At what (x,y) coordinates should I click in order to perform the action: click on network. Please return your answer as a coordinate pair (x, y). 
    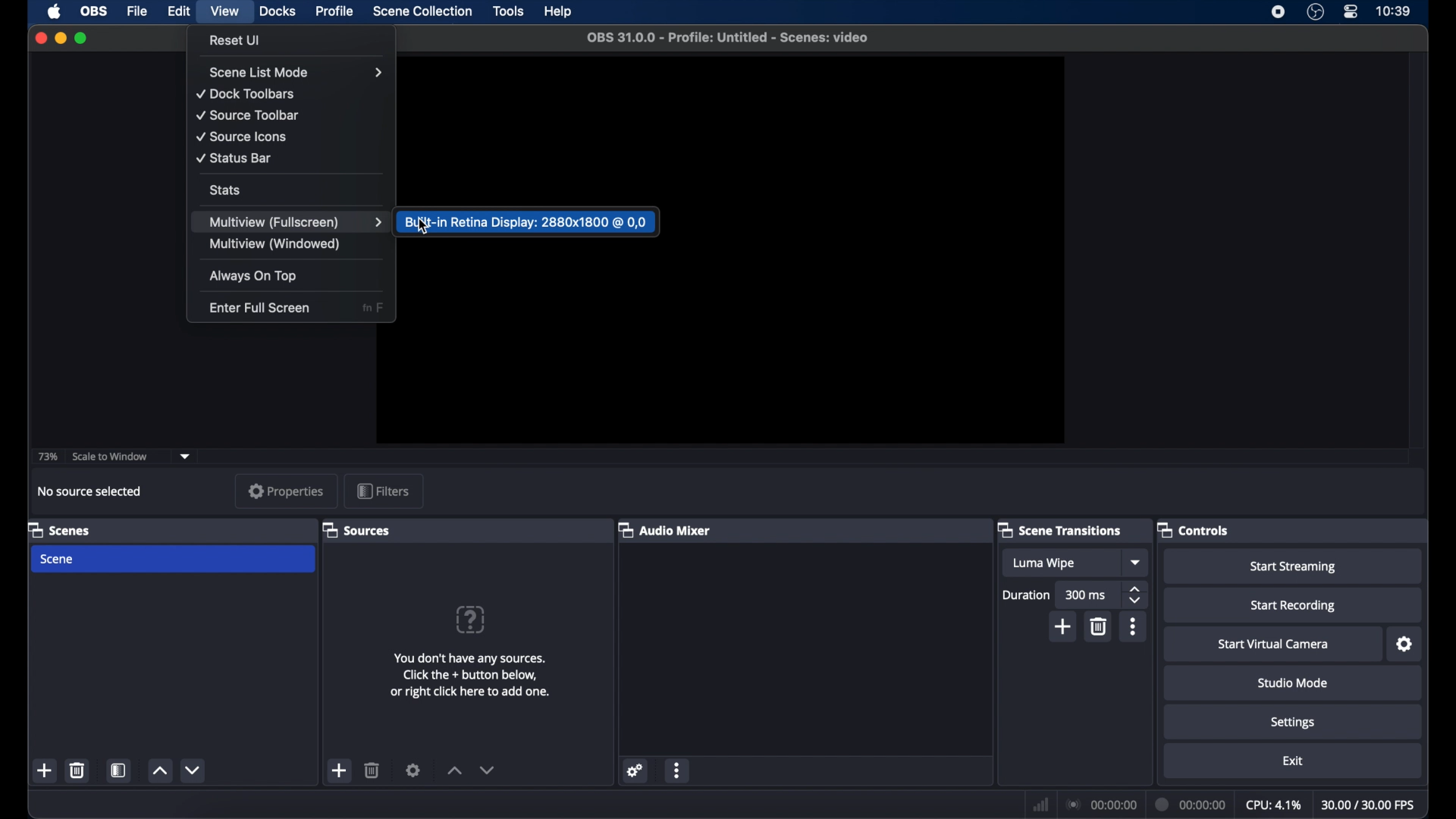
    Looking at the image, I should click on (1040, 804).